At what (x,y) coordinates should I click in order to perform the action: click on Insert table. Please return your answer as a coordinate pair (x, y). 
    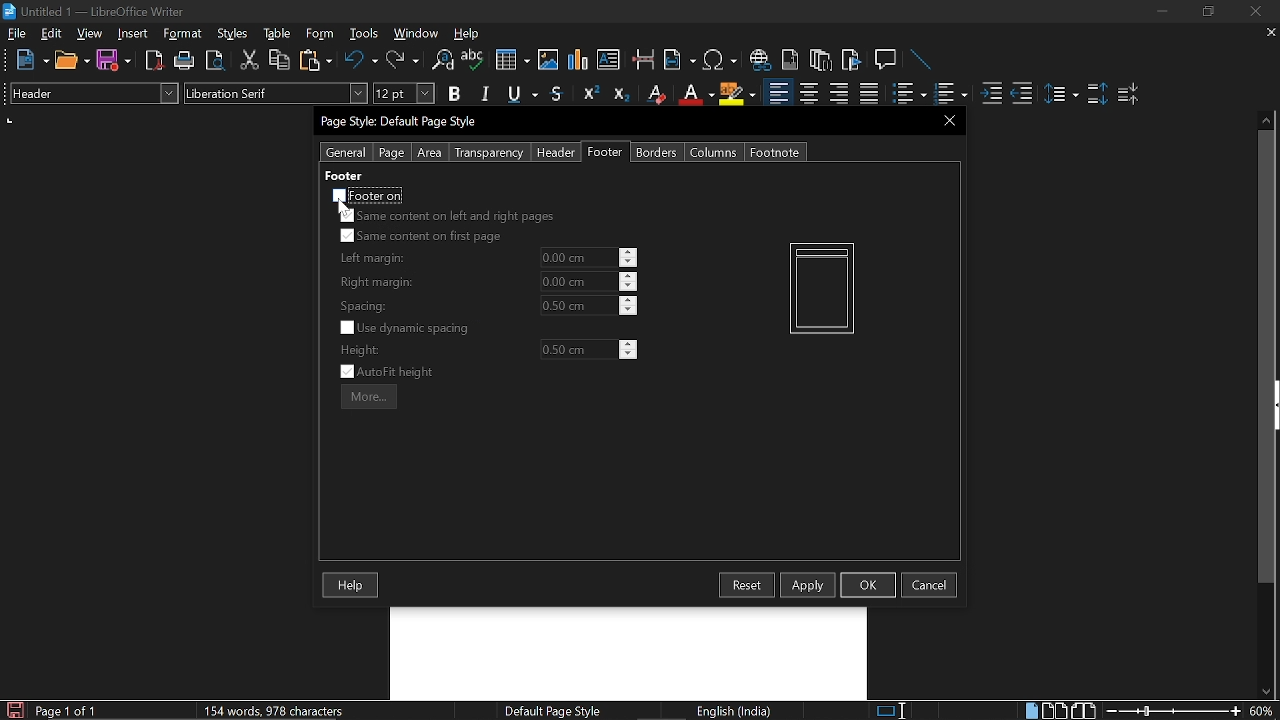
    Looking at the image, I should click on (511, 61).